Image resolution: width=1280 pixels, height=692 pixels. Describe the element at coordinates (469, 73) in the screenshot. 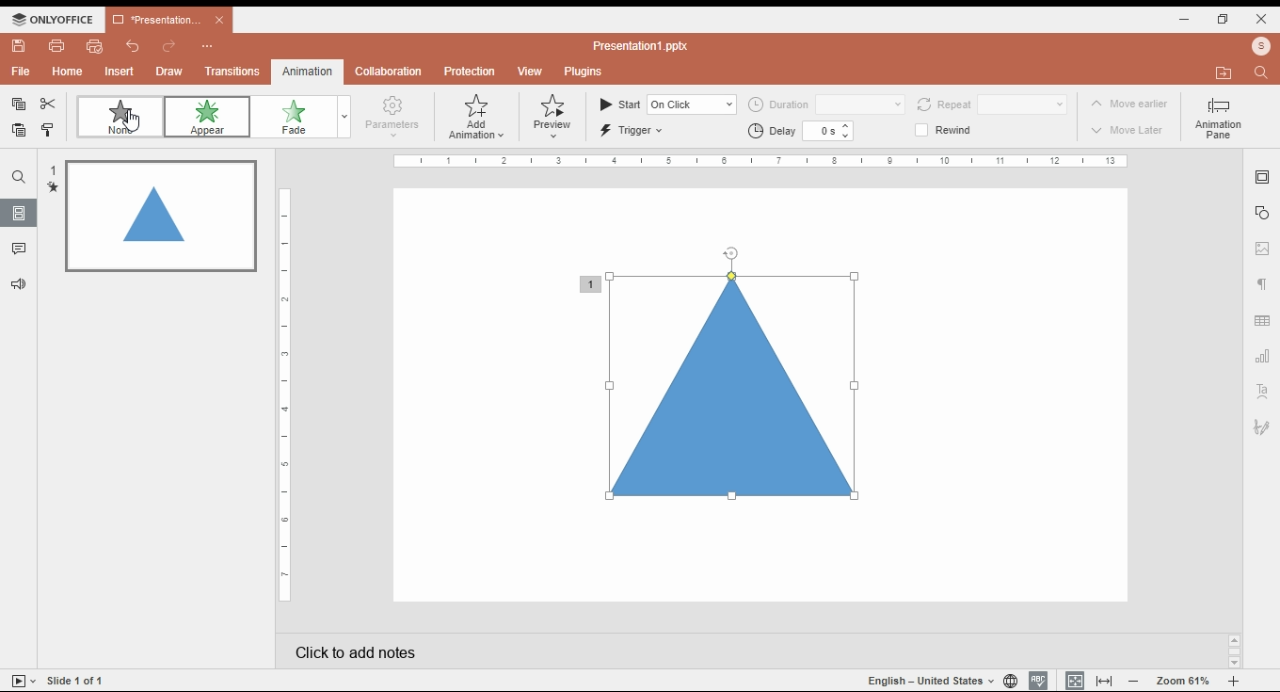

I see `protection` at that location.